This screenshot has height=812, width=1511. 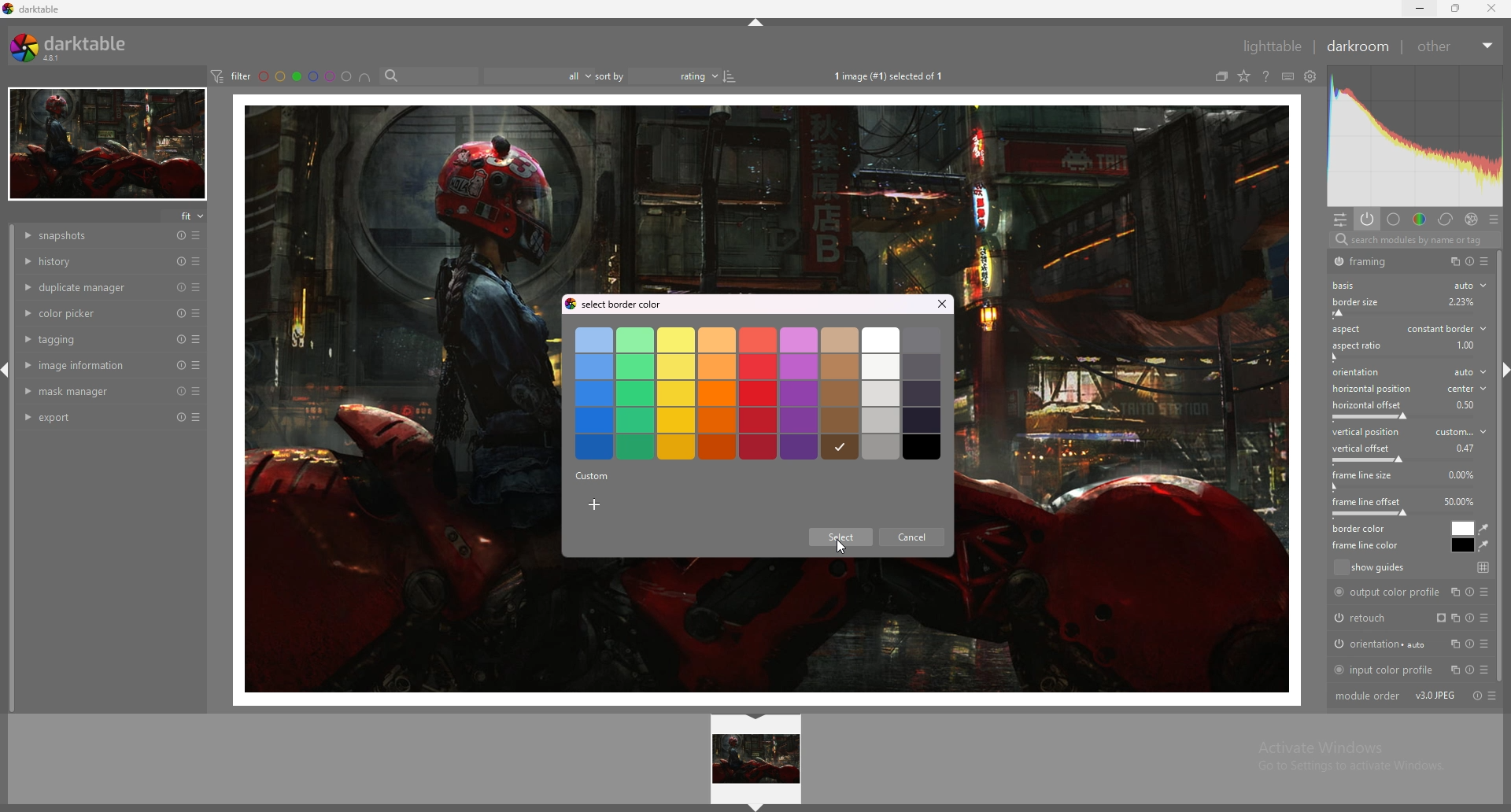 What do you see at coordinates (1456, 46) in the screenshot?
I see `other` at bounding box center [1456, 46].